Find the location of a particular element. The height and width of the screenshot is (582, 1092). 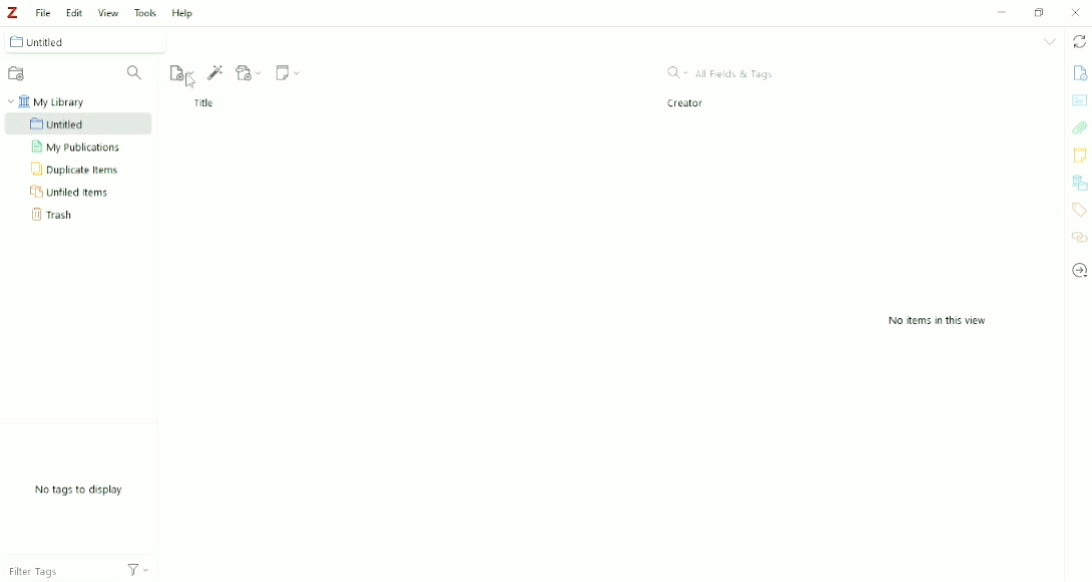

Attachments is located at coordinates (1080, 128).